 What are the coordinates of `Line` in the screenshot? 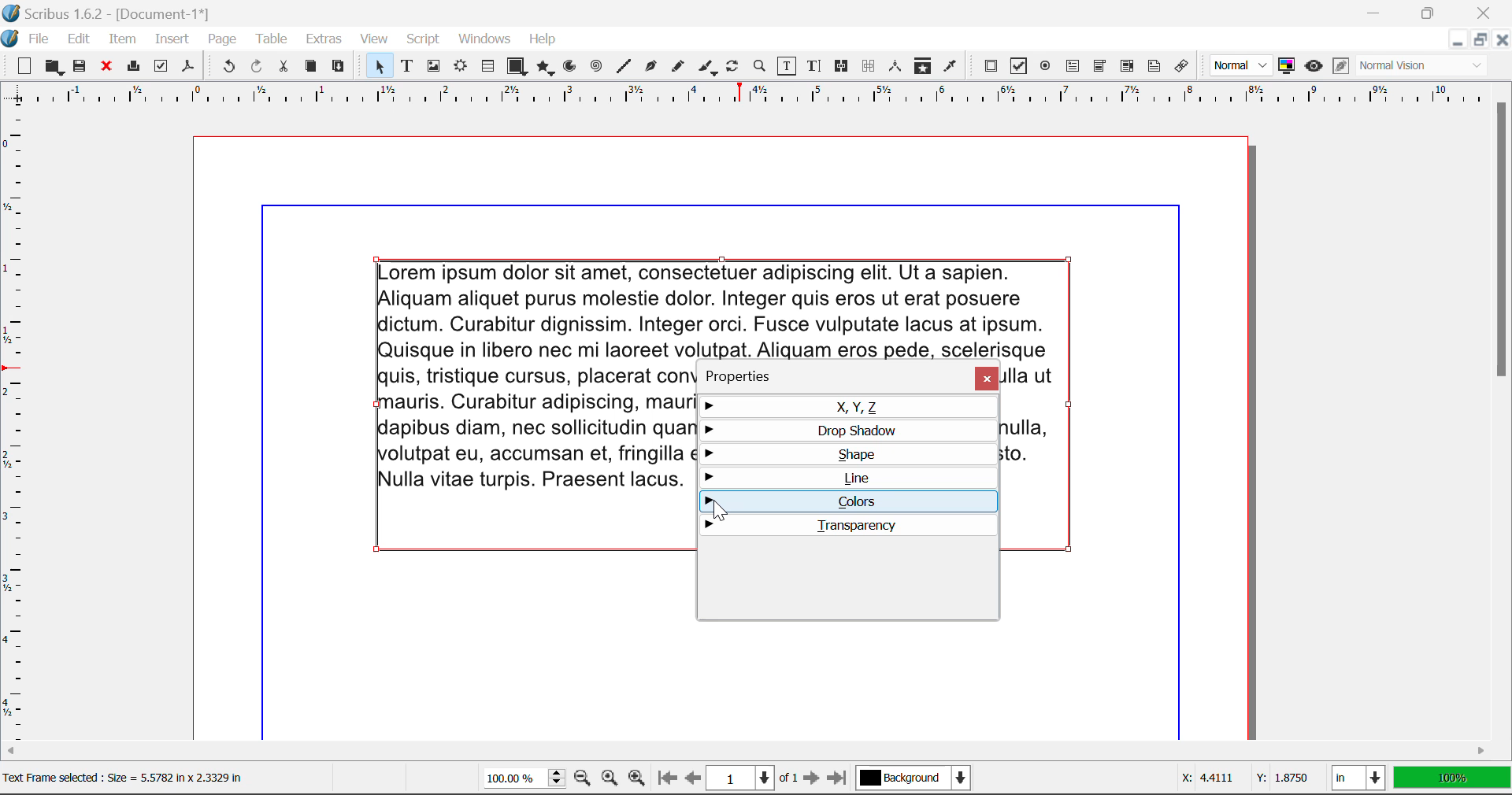 It's located at (850, 478).